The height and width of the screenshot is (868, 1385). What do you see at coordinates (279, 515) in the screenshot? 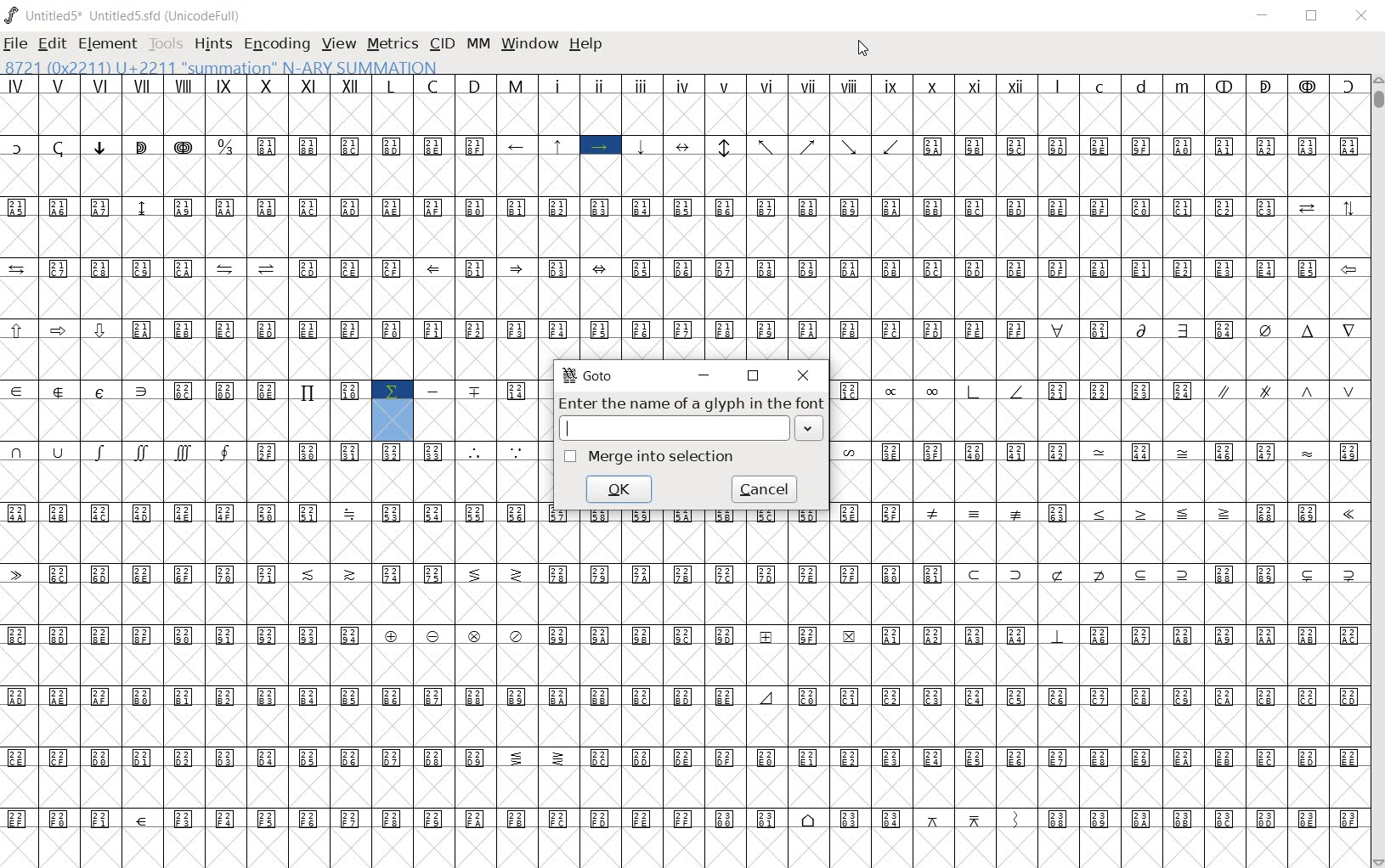
I see `special symbols` at bounding box center [279, 515].